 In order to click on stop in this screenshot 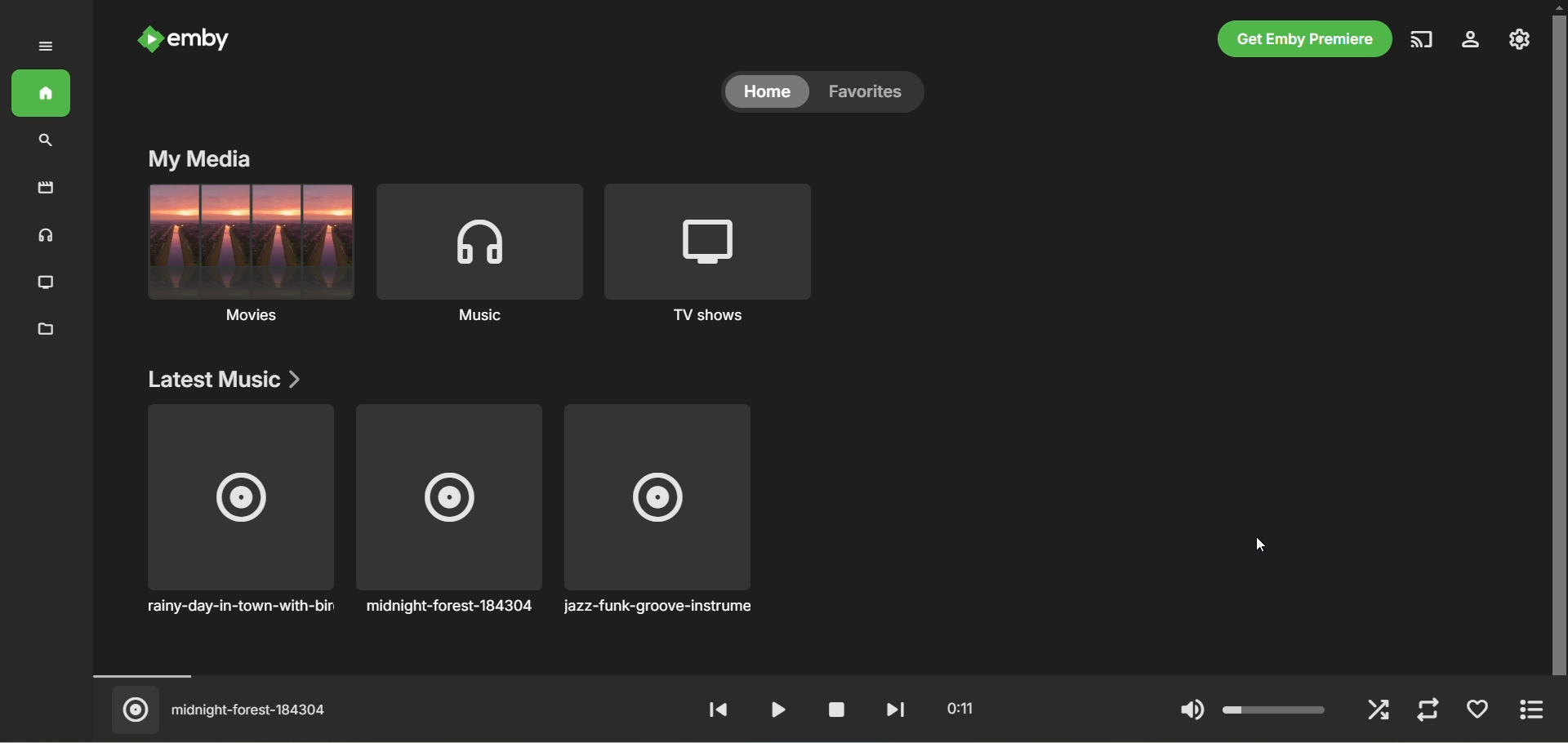, I will do `click(829, 710)`.